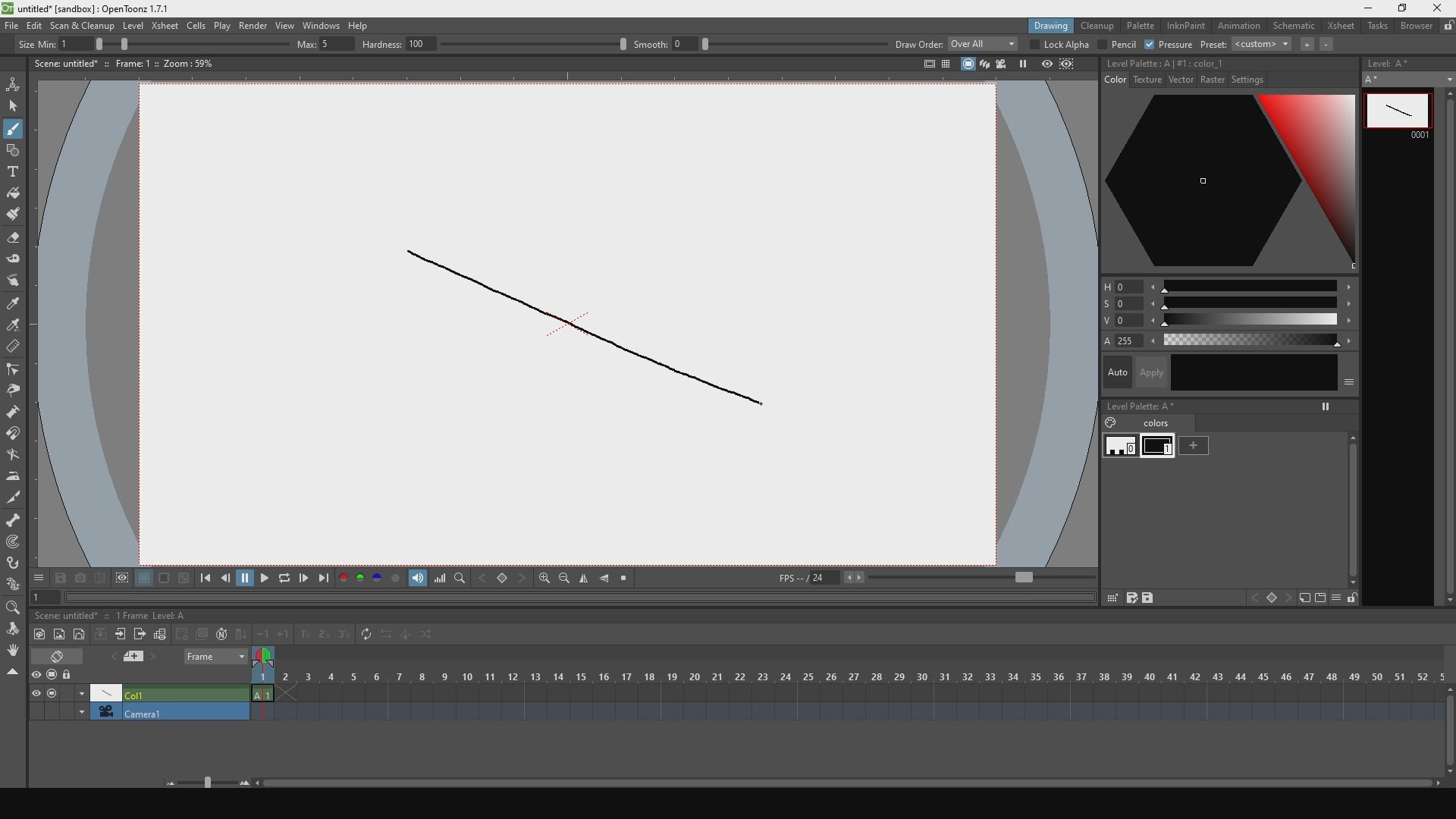 Image resolution: width=1456 pixels, height=819 pixels. What do you see at coordinates (1170, 45) in the screenshot?
I see `pressure` at bounding box center [1170, 45].